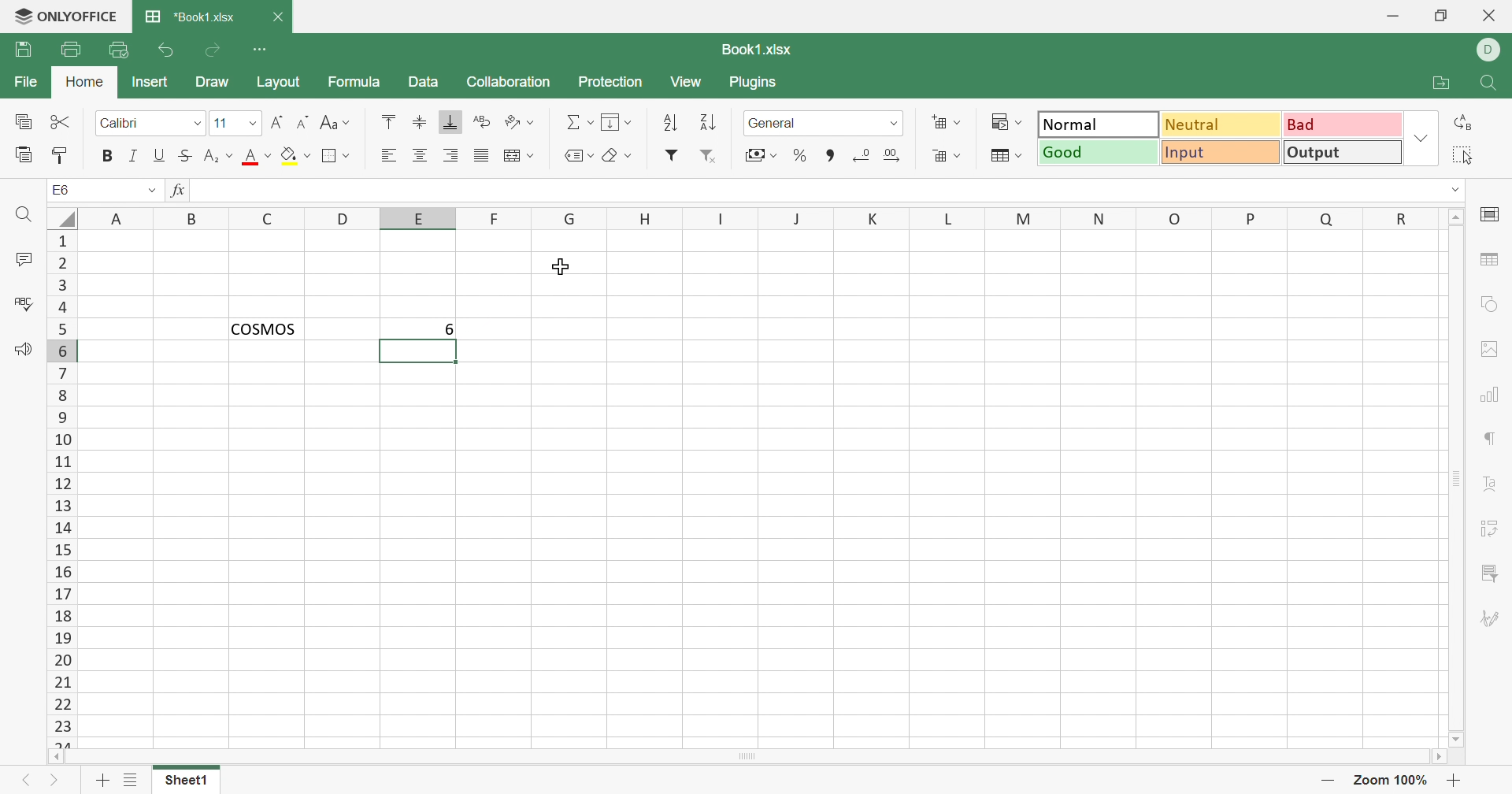  I want to click on , so click(65, 218).